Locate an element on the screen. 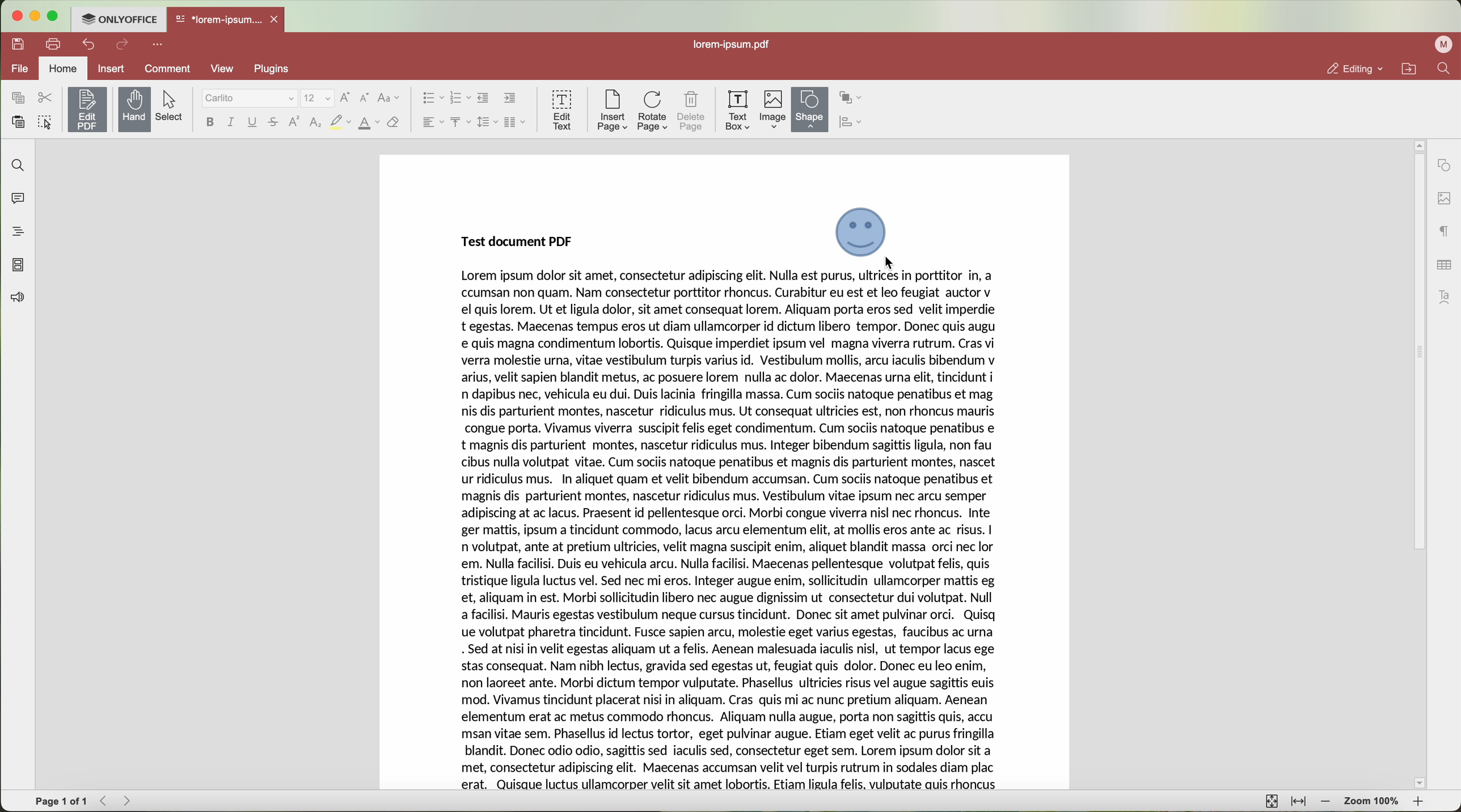 Image resolution: width=1461 pixels, height=812 pixels. mouse up is located at coordinates (893, 265).